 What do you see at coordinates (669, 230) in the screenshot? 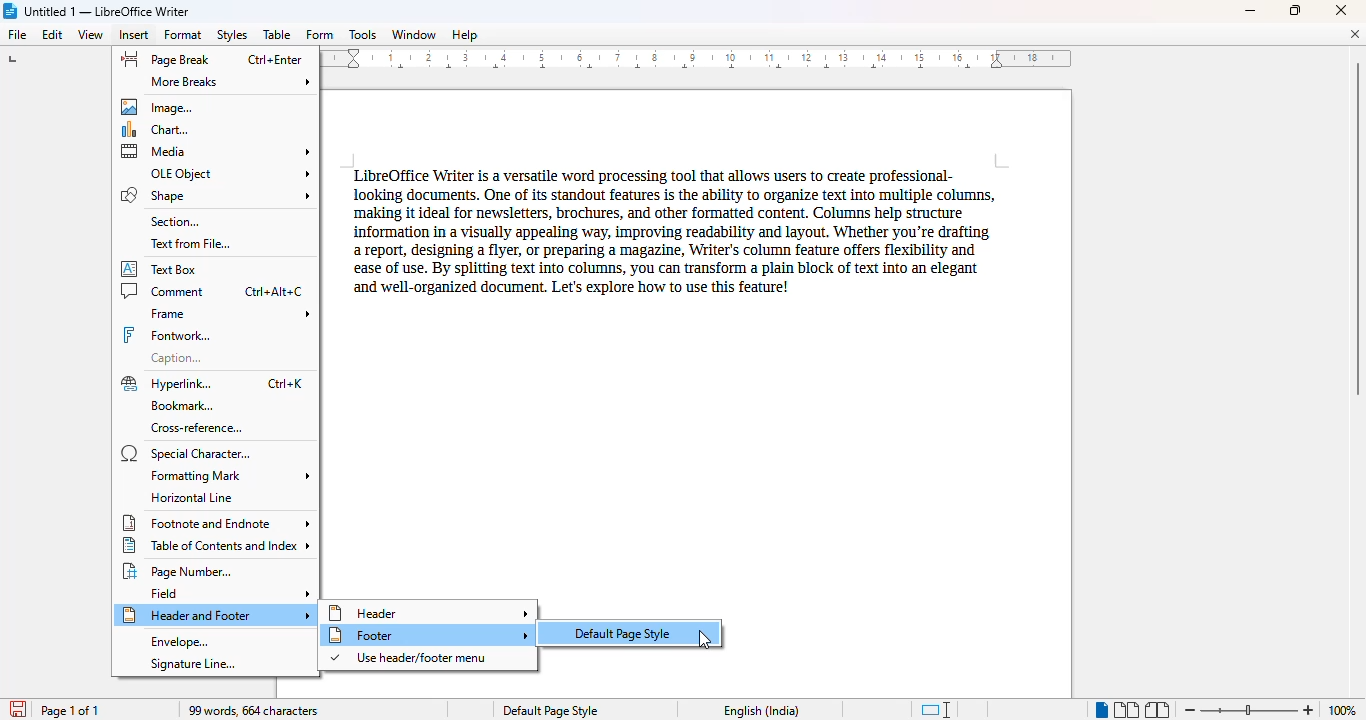
I see `LibreOffice Writer is a versatile word processing tool that allows users to create professional looking documents. One of its standout features is the ability to organize text into multiple columns,‘ making it ideal for newsletters, brochures, and other formatted content. Columns help structure information in a visually appealing way, improving readability and layout. Whether you're drafting a report, designing a flyer, or preparing a magazine, Writer's column feature offers flexibility and ease of use. By splitting text into columns, you can transform a plain block of text into an elegant and well-organized document. Let's explore how to use this feature!` at bounding box center [669, 230].